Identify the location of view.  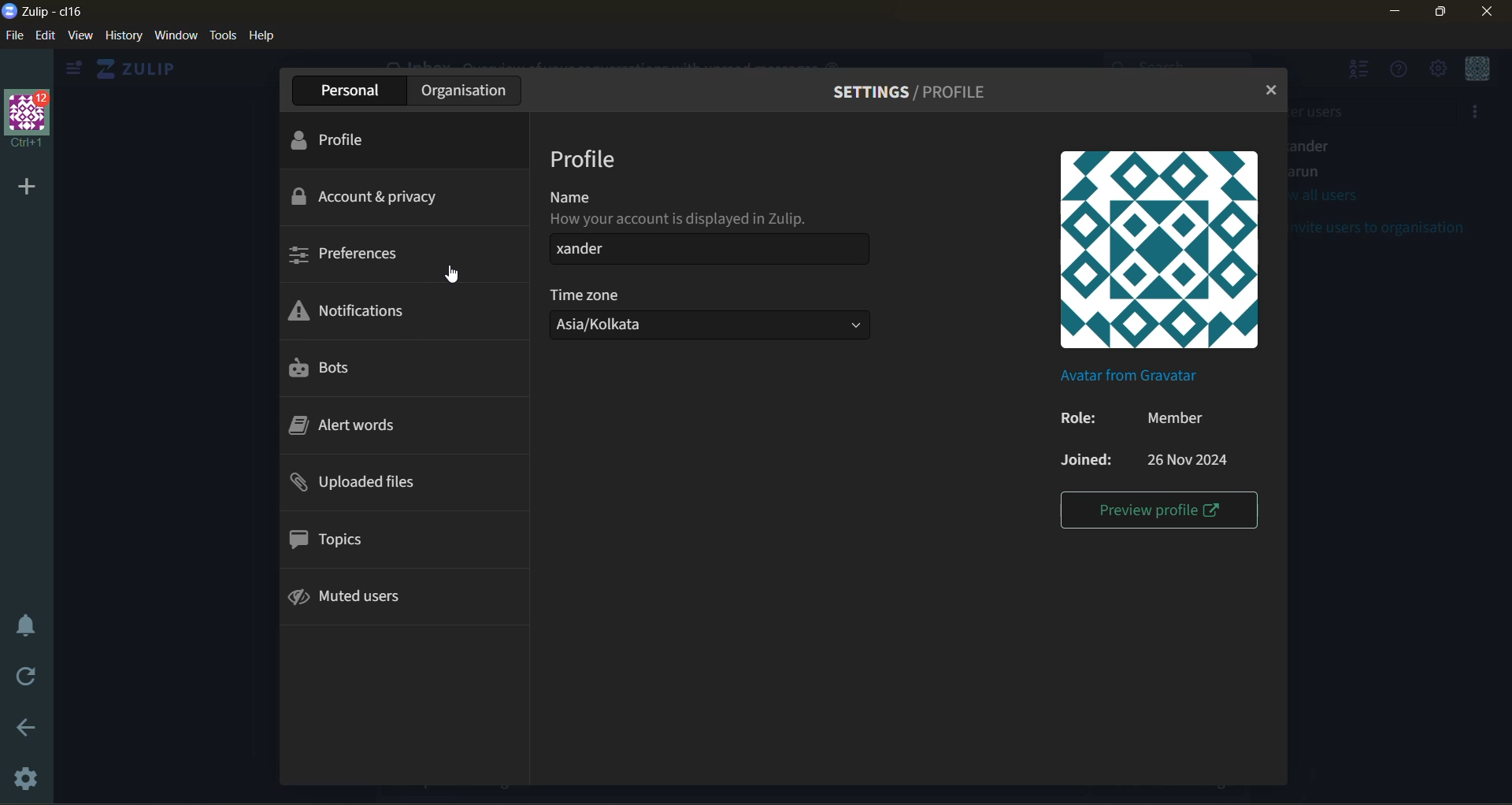
(83, 37).